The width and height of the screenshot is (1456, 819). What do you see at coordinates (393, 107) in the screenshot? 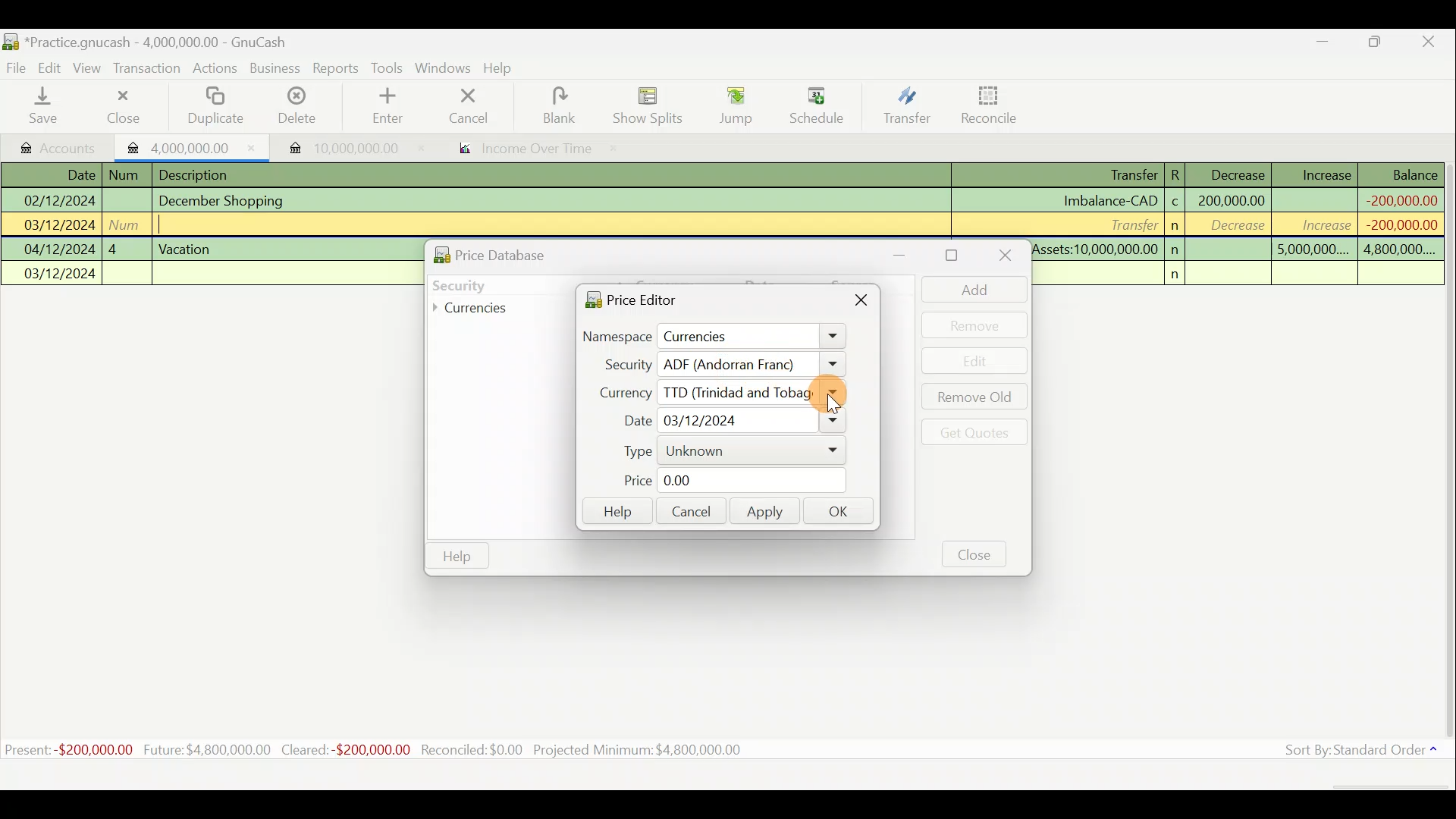
I see `enter` at bounding box center [393, 107].